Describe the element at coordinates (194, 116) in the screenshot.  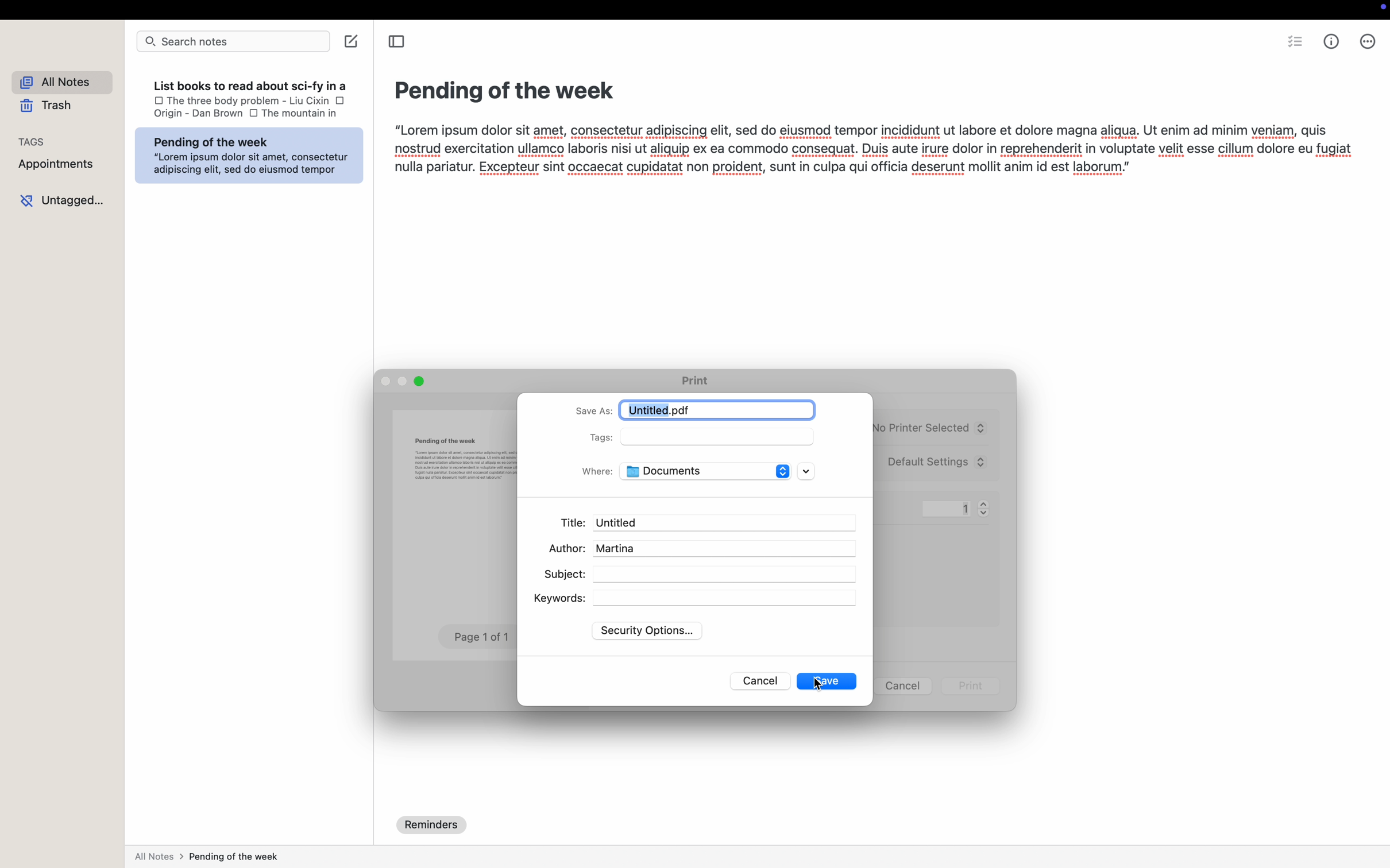
I see `Origin - Dan Brown` at that location.